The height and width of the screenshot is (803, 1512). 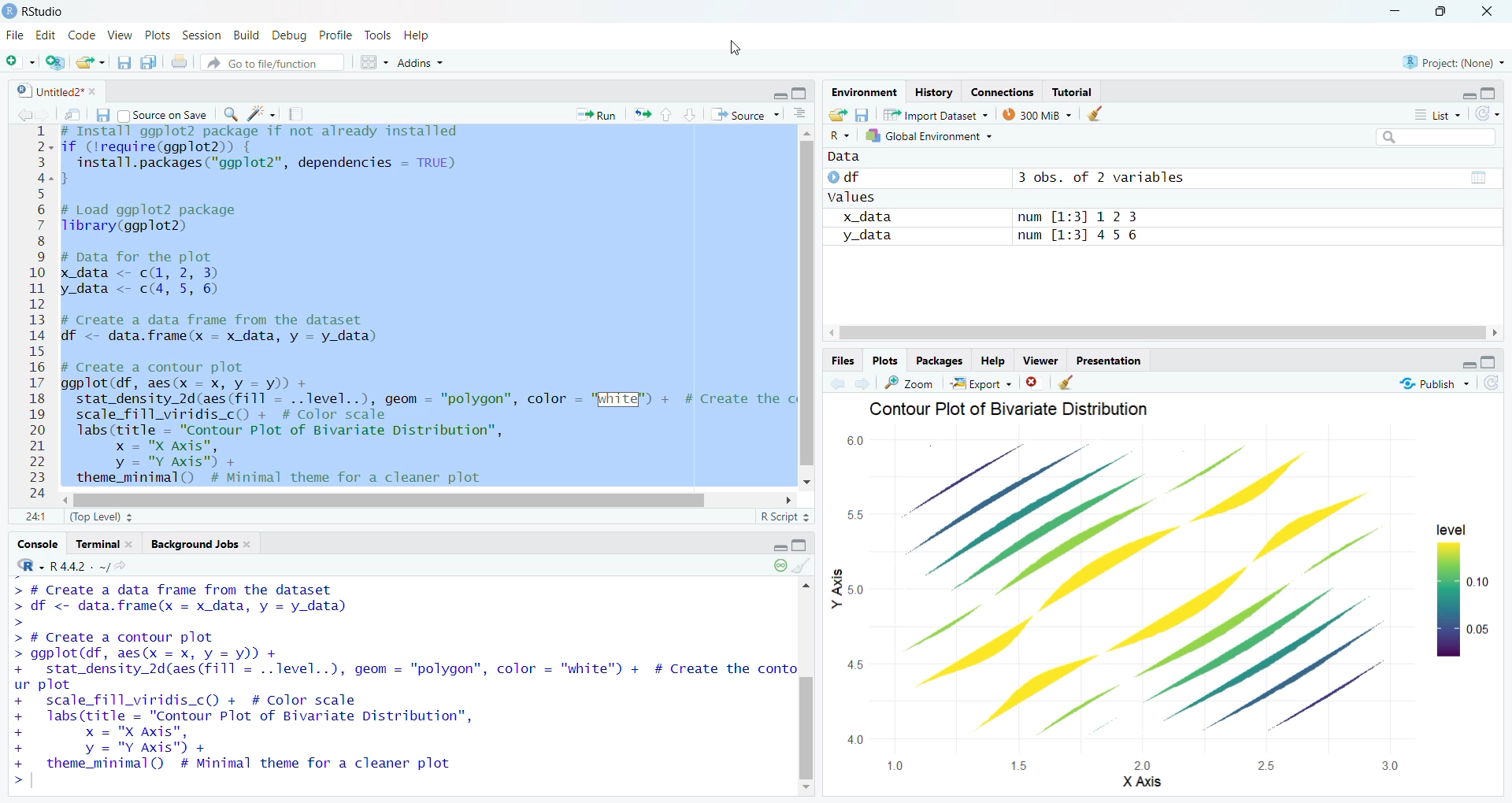 What do you see at coordinates (124, 62) in the screenshot?
I see `save current document` at bounding box center [124, 62].